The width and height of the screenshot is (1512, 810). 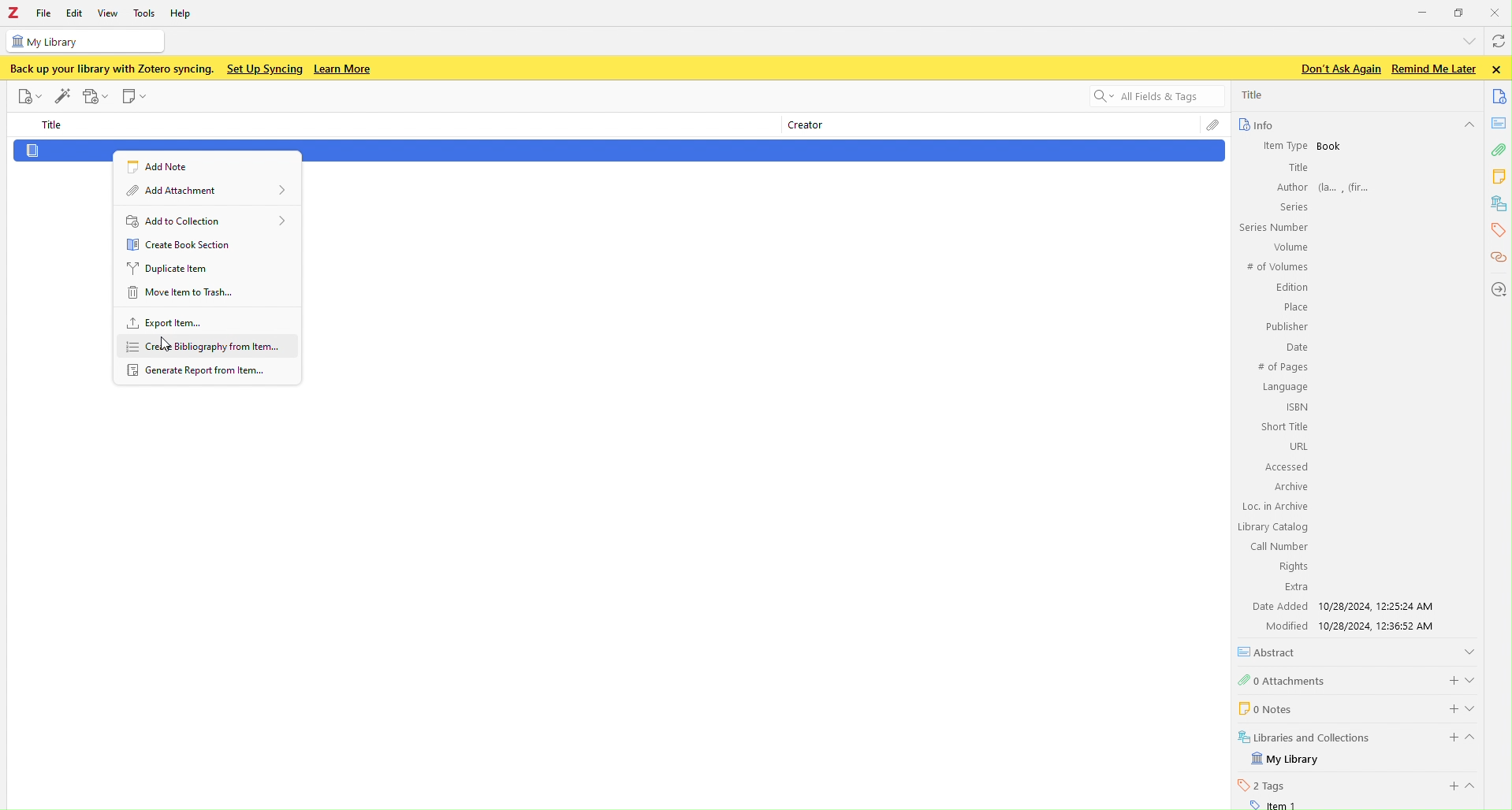 I want to click on Create book section, so click(x=181, y=246).